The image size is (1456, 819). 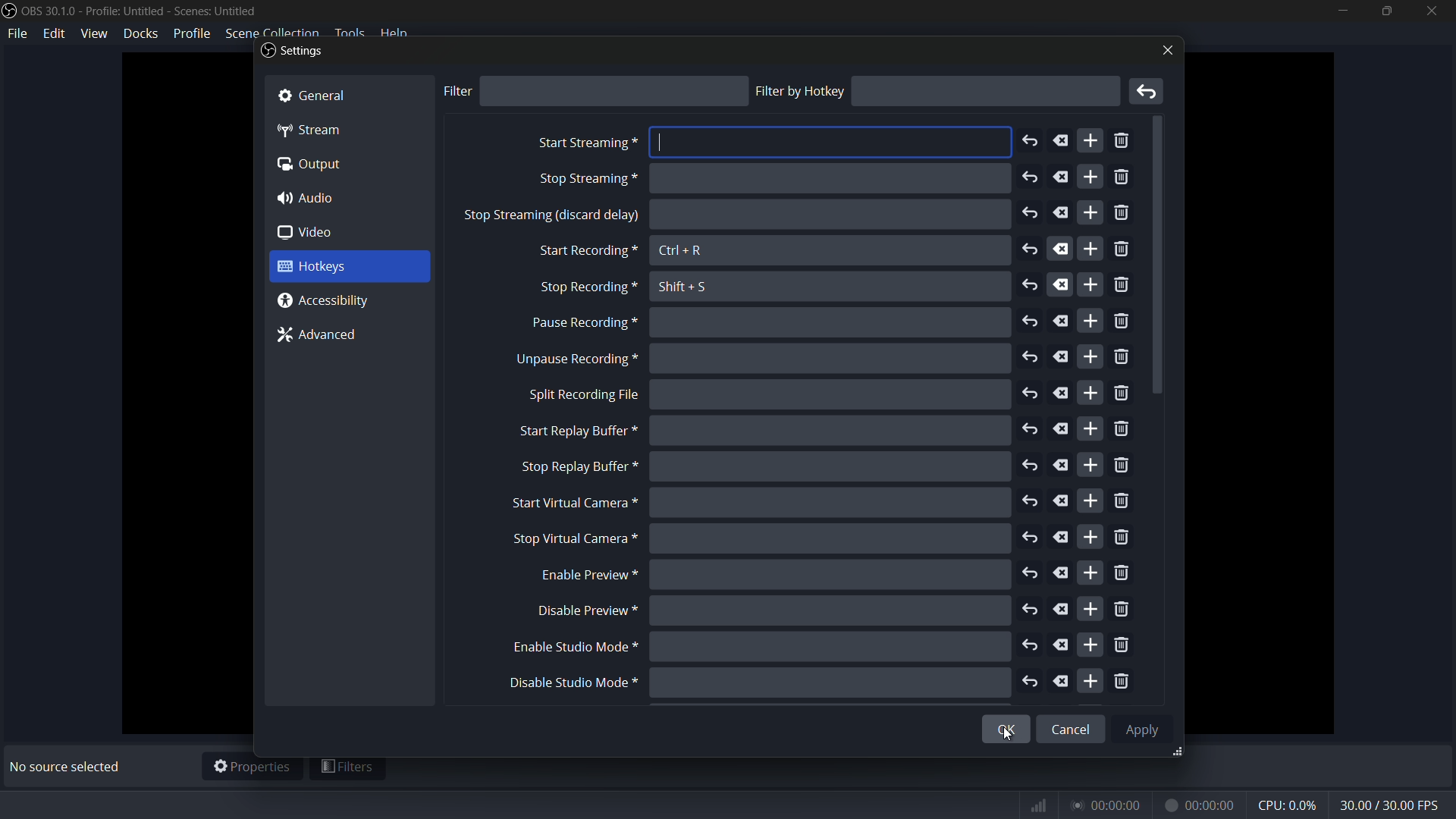 I want to click on add more, so click(x=1090, y=356).